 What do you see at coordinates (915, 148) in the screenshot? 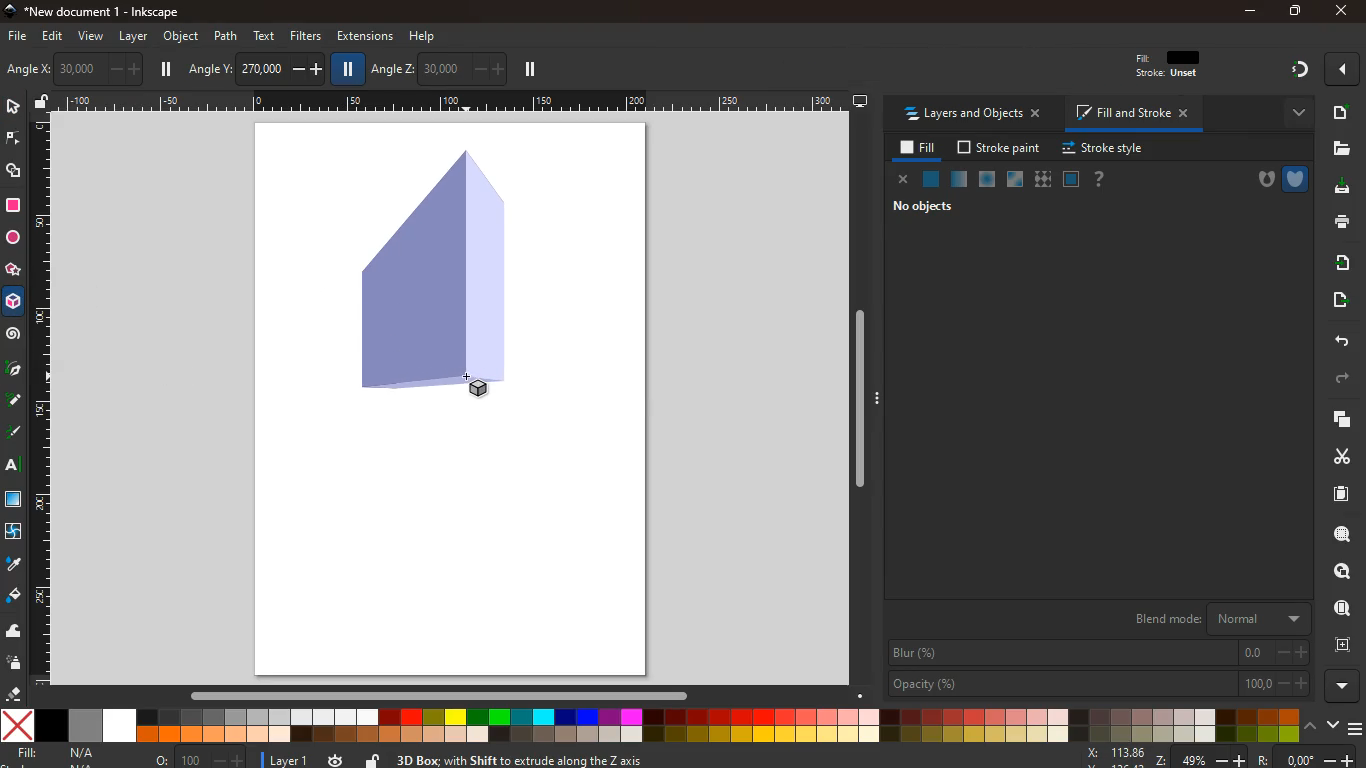
I see `fill` at bounding box center [915, 148].